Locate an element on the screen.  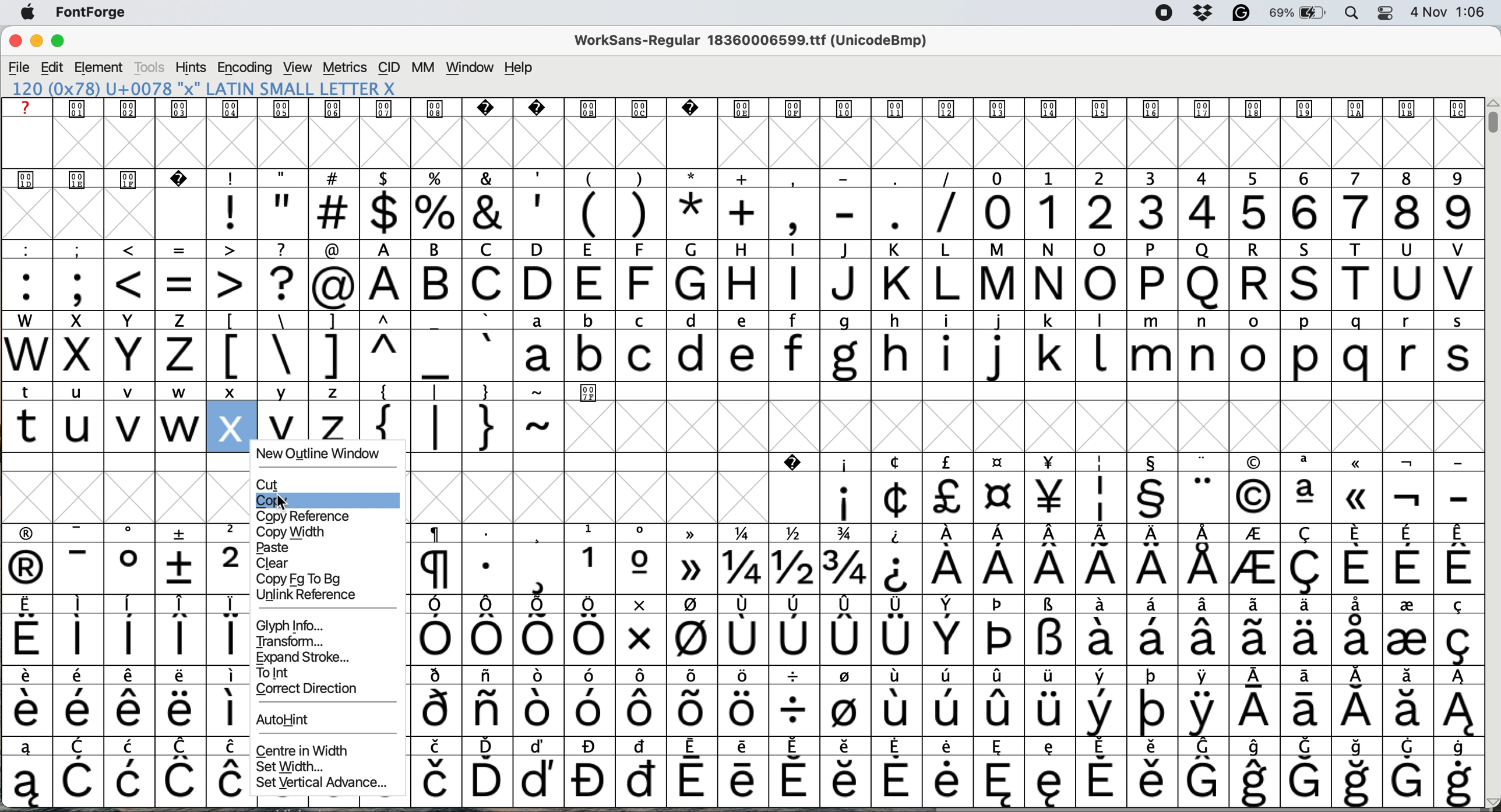
new outline window is located at coordinates (323, 454).